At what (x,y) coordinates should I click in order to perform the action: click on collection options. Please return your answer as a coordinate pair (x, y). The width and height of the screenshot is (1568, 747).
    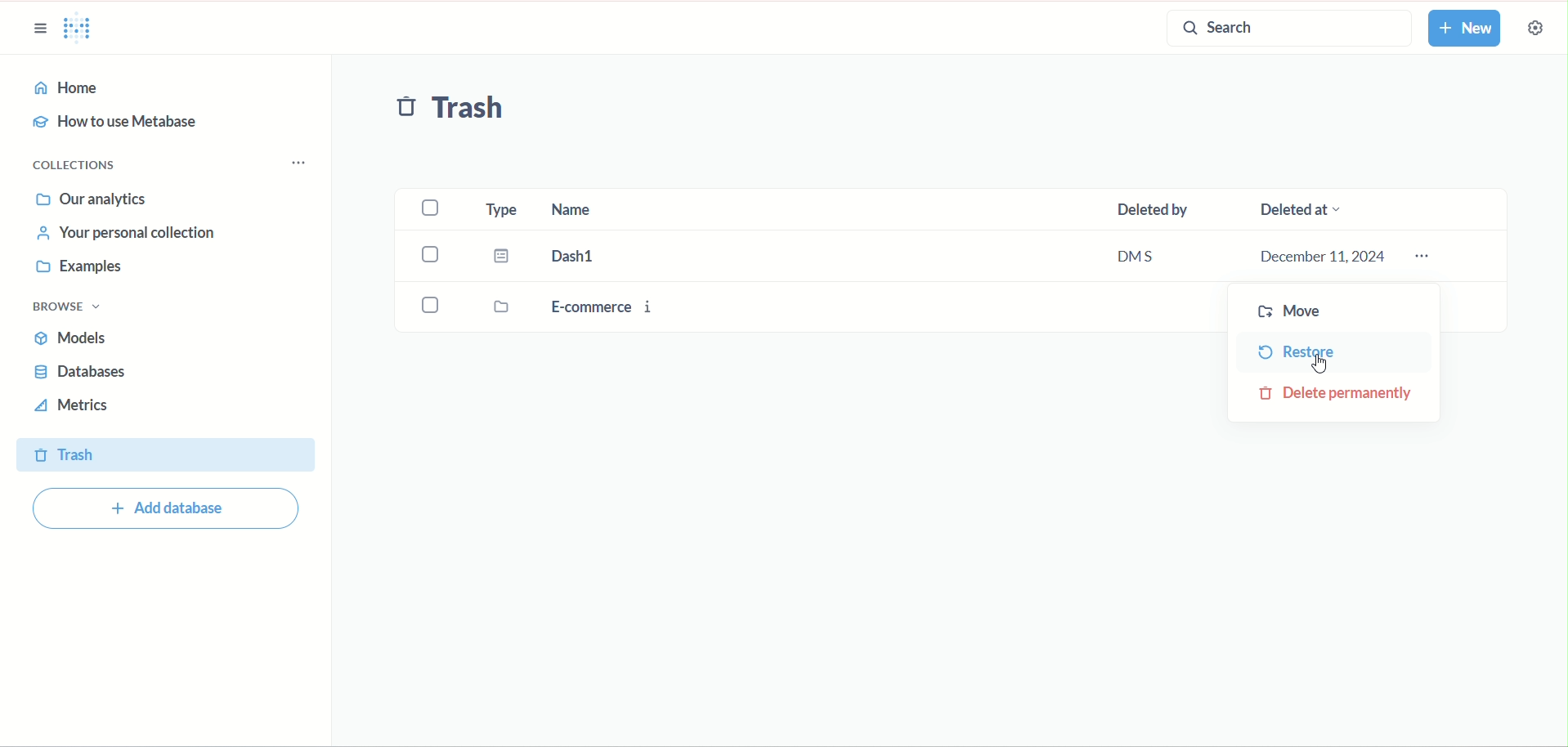
    Looking at the image, I should click on (305, 158).